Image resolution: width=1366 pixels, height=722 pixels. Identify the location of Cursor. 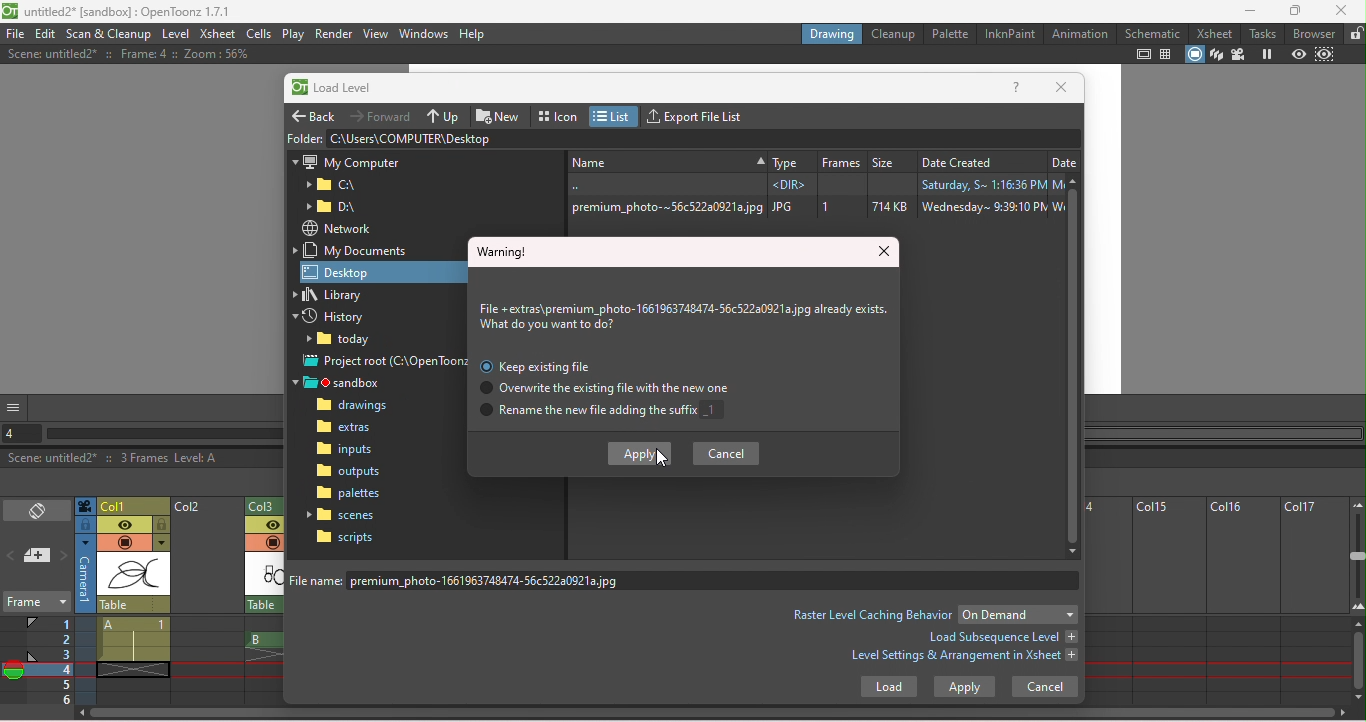
(662, 457).